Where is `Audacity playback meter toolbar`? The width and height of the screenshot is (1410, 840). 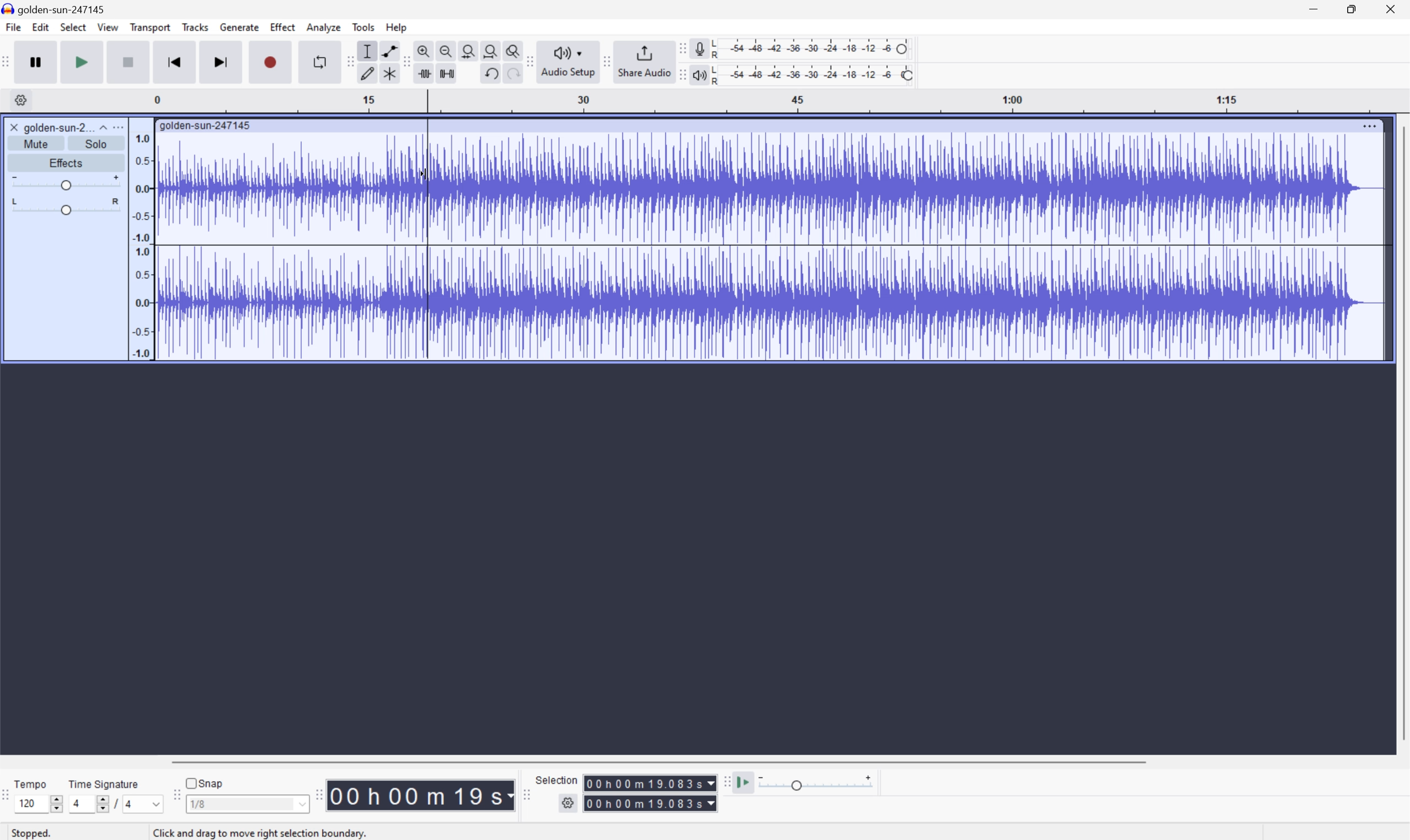
Audacity playback meter toolbar is located at coordinates (678, 76).